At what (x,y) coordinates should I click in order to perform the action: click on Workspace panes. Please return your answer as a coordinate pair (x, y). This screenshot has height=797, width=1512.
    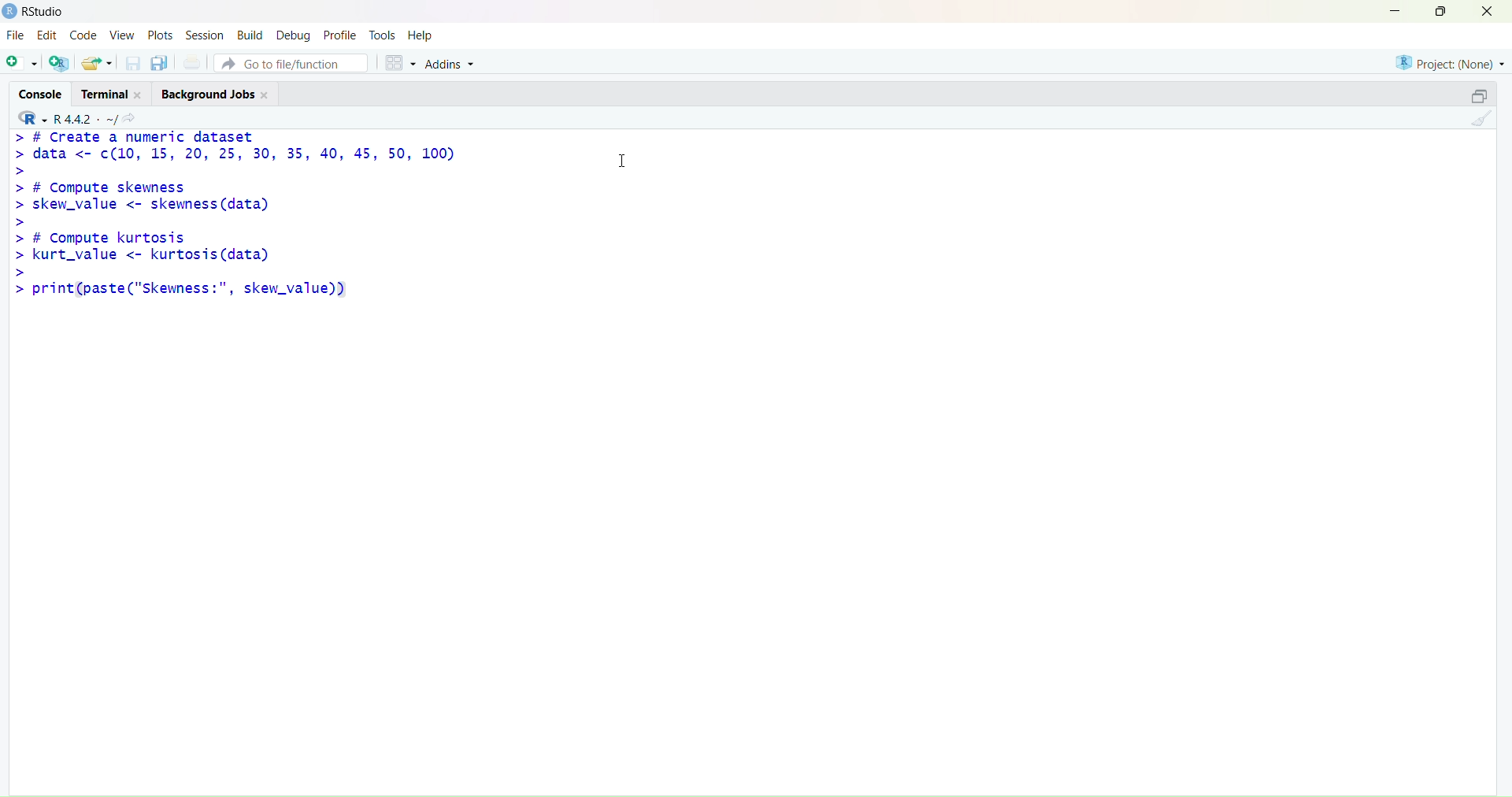
    Looking at the image, I should click on (398, 61).